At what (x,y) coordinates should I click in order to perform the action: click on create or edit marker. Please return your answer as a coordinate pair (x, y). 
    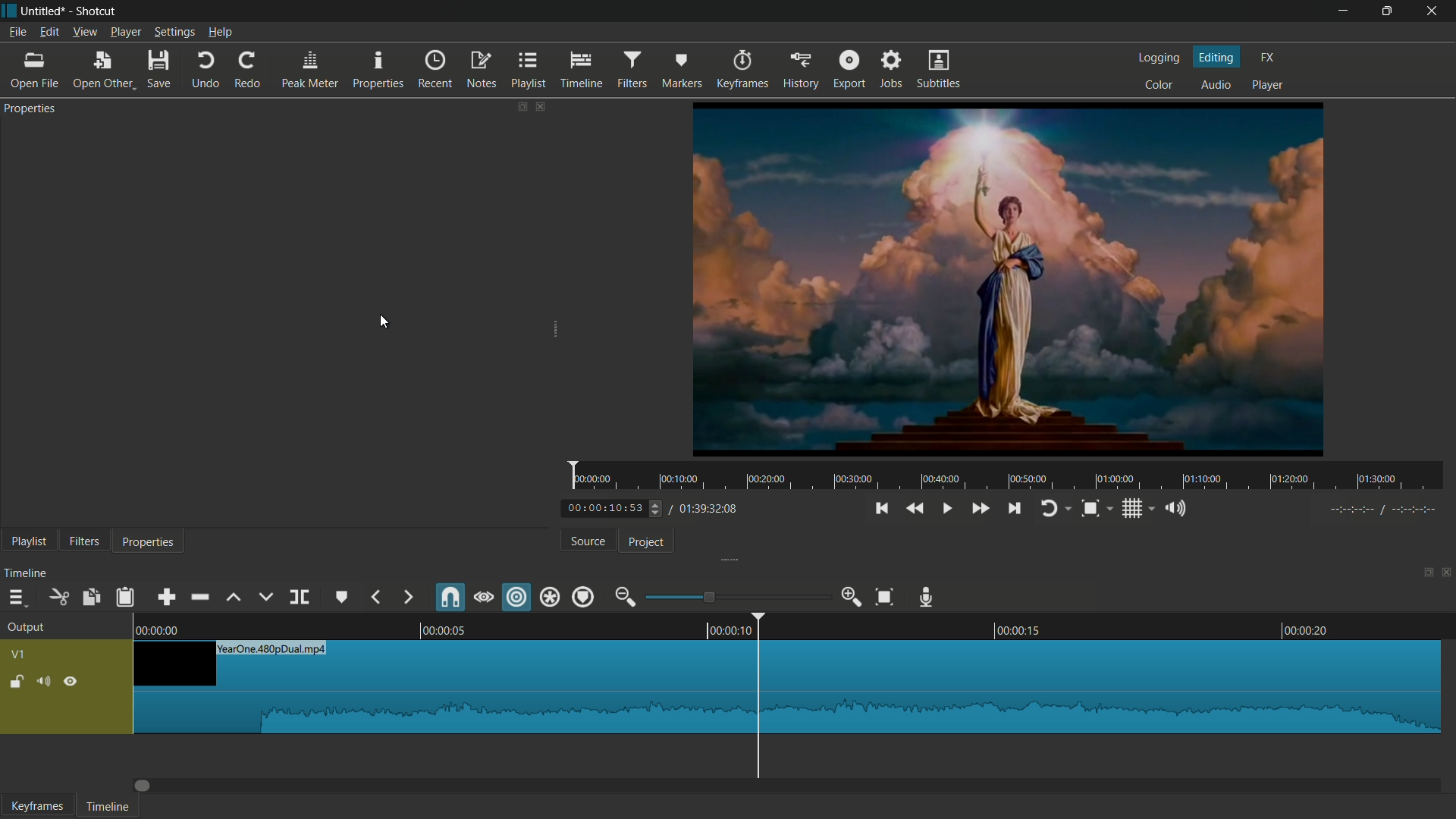
    Looking at the image, I should click on (342, 597).